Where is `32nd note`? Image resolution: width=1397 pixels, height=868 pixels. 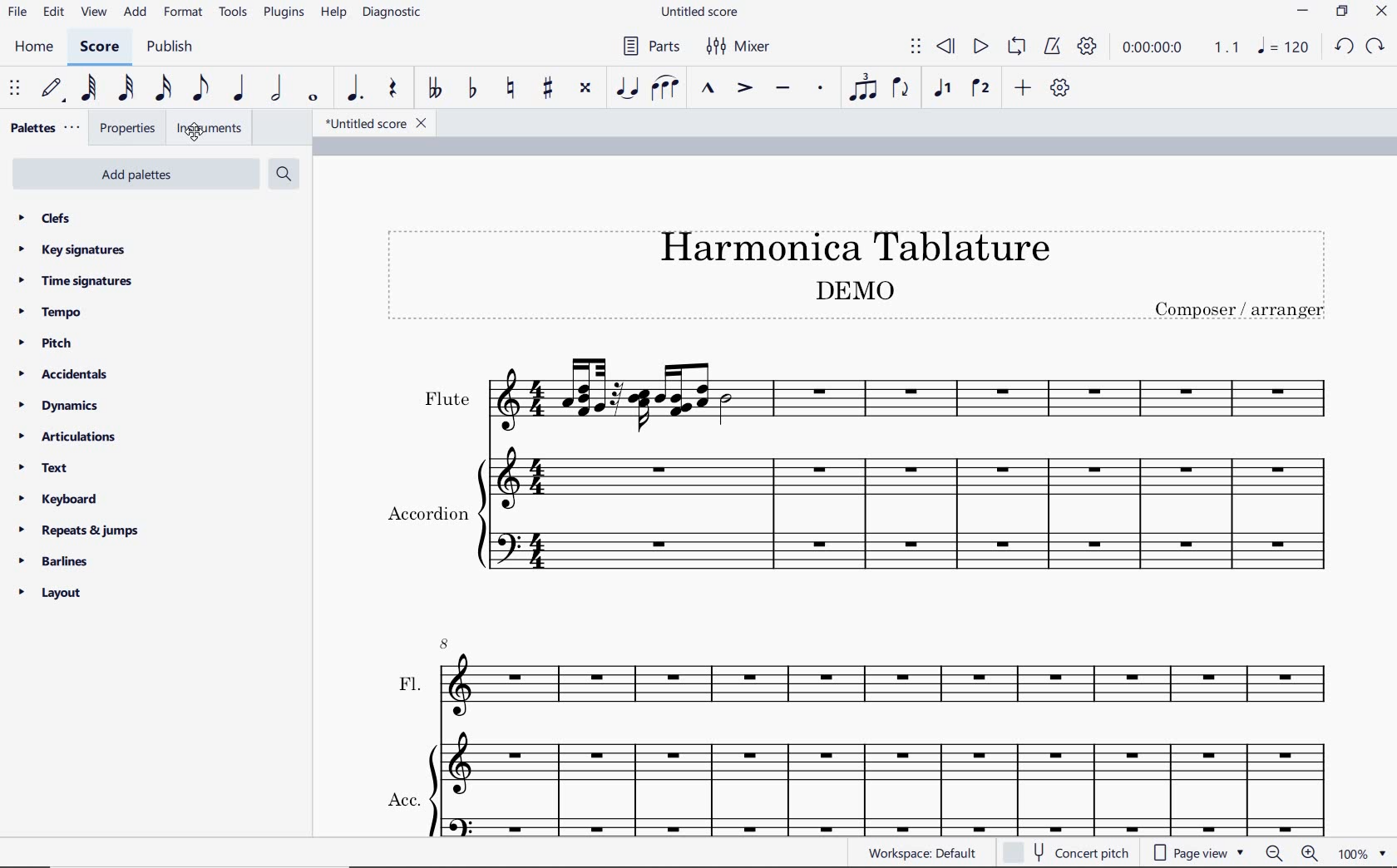 32nd note is located at coordinates (125, 89).